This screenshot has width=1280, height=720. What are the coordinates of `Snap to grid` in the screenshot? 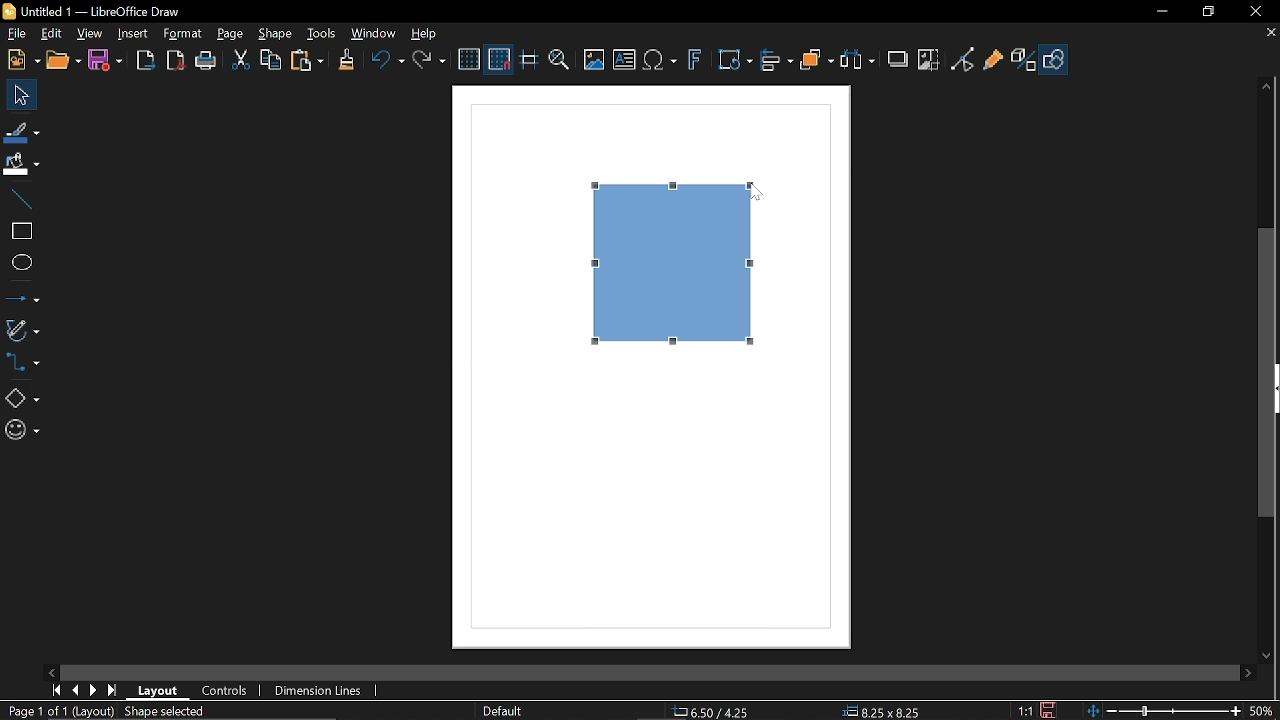 It's located at (500, 61).